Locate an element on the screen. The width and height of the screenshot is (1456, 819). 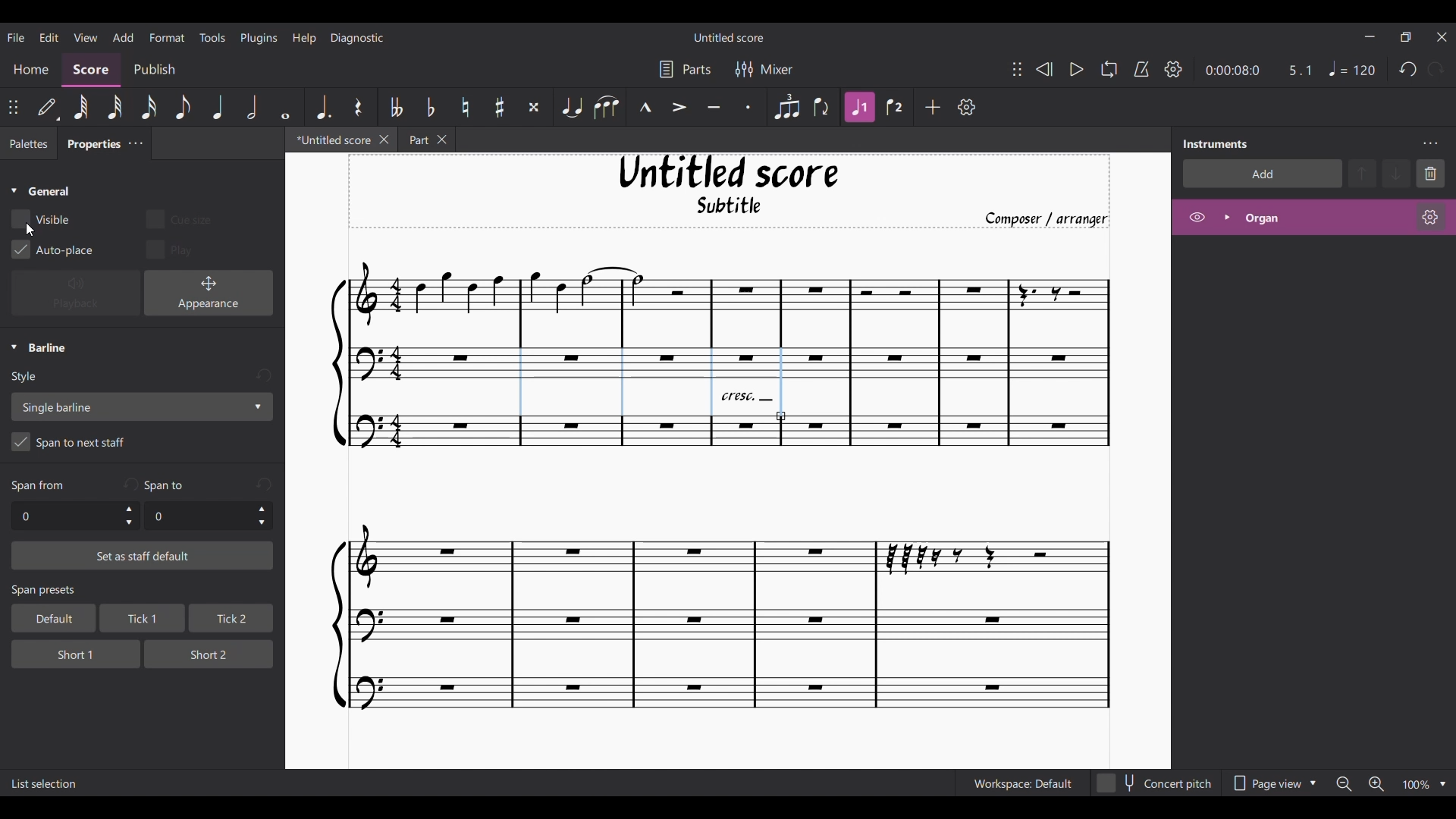
Format menu is located at coordinates (168, 36).